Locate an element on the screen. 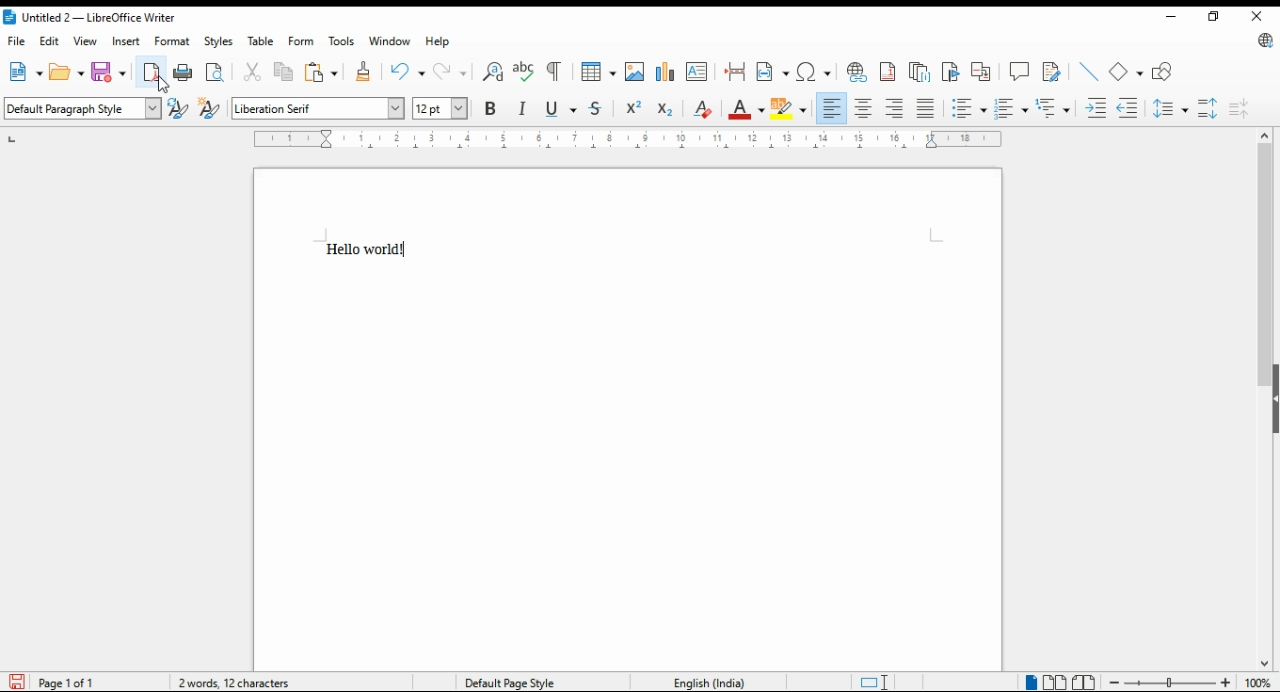 The image size is (1280, 692). insert footnote is located at coordinates (887, 71).